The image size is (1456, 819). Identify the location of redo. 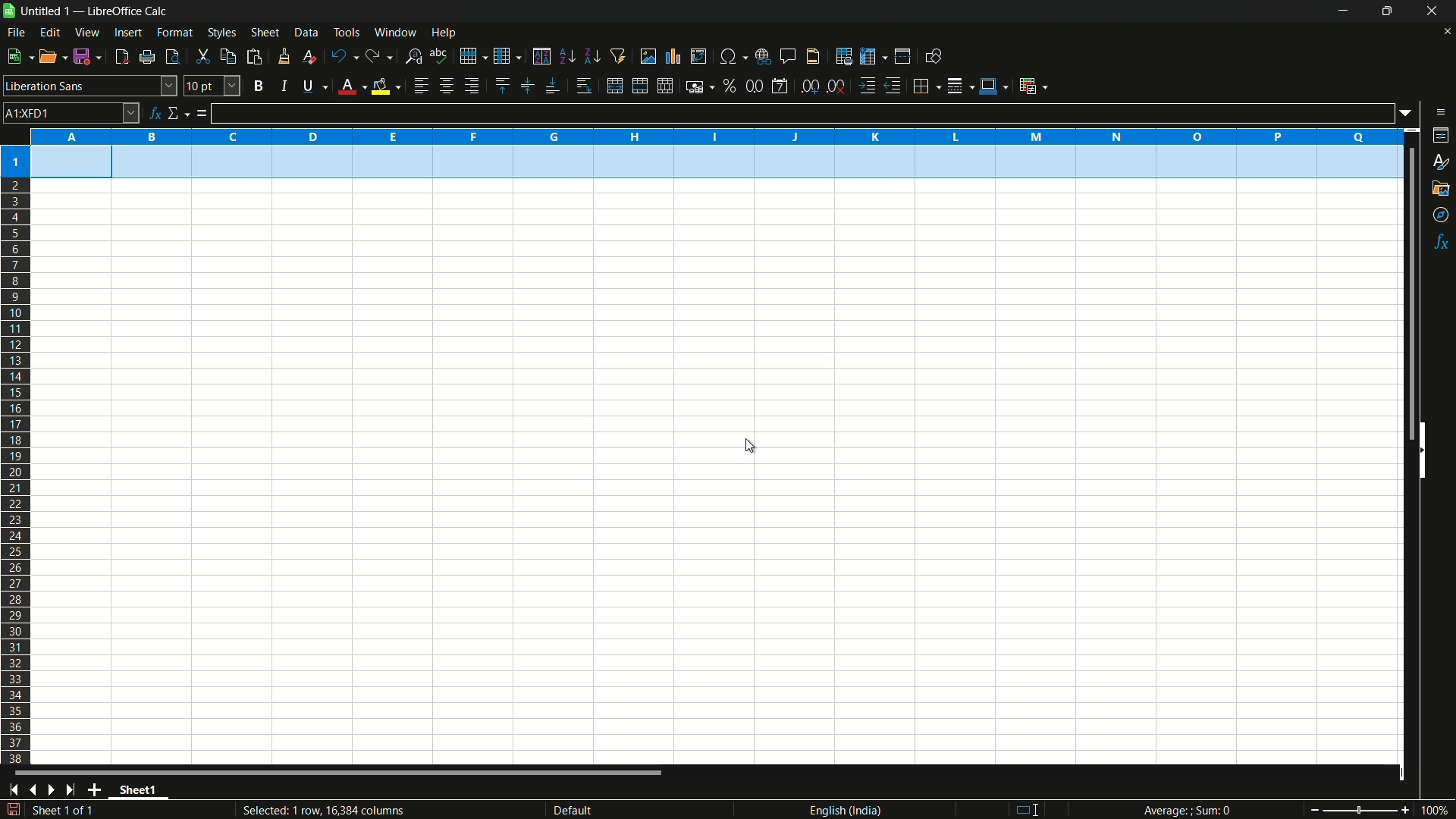
(380, 57).